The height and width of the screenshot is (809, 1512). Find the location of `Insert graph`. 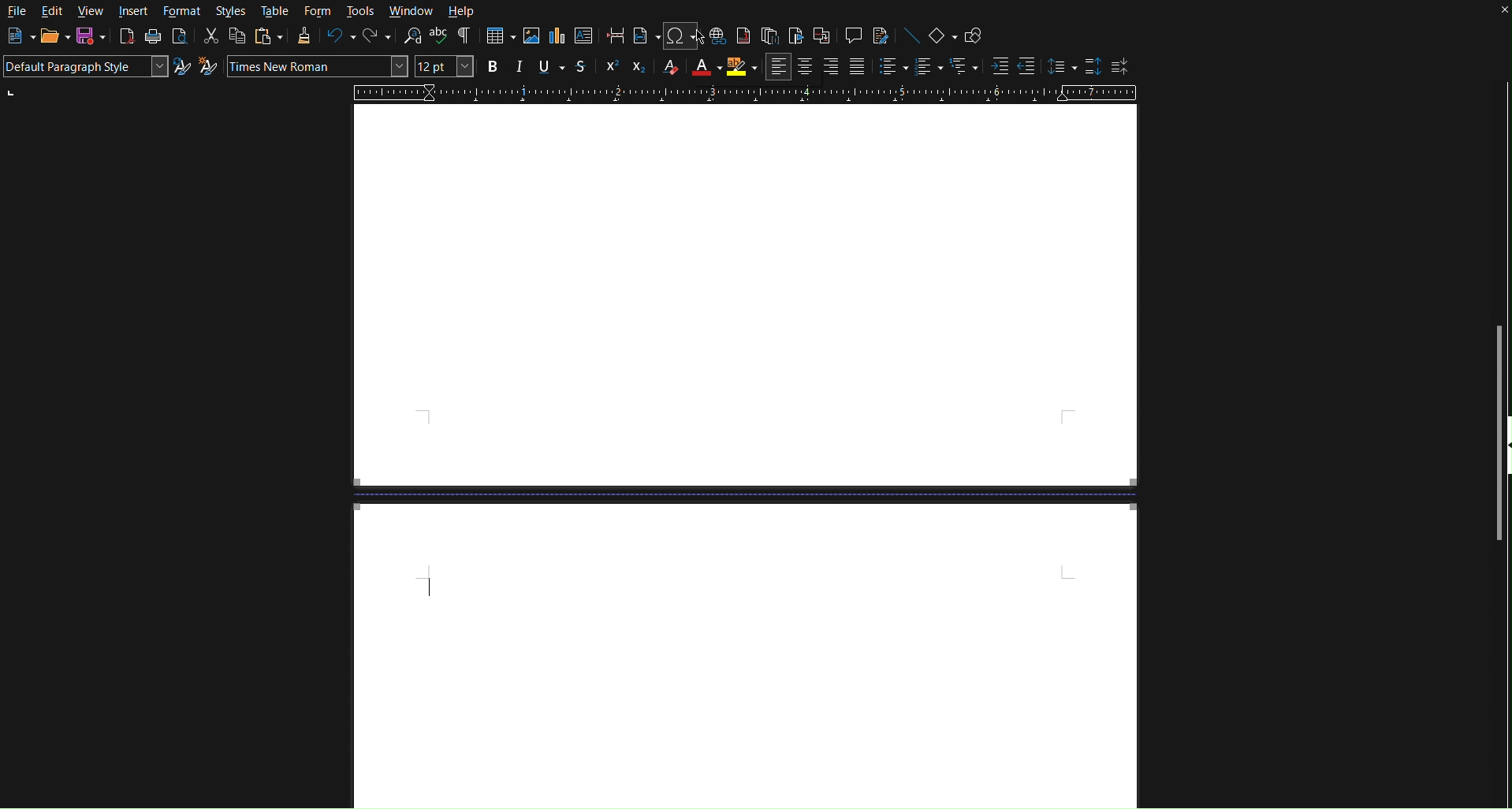

Insert graph is located at coordinates (557, 38).